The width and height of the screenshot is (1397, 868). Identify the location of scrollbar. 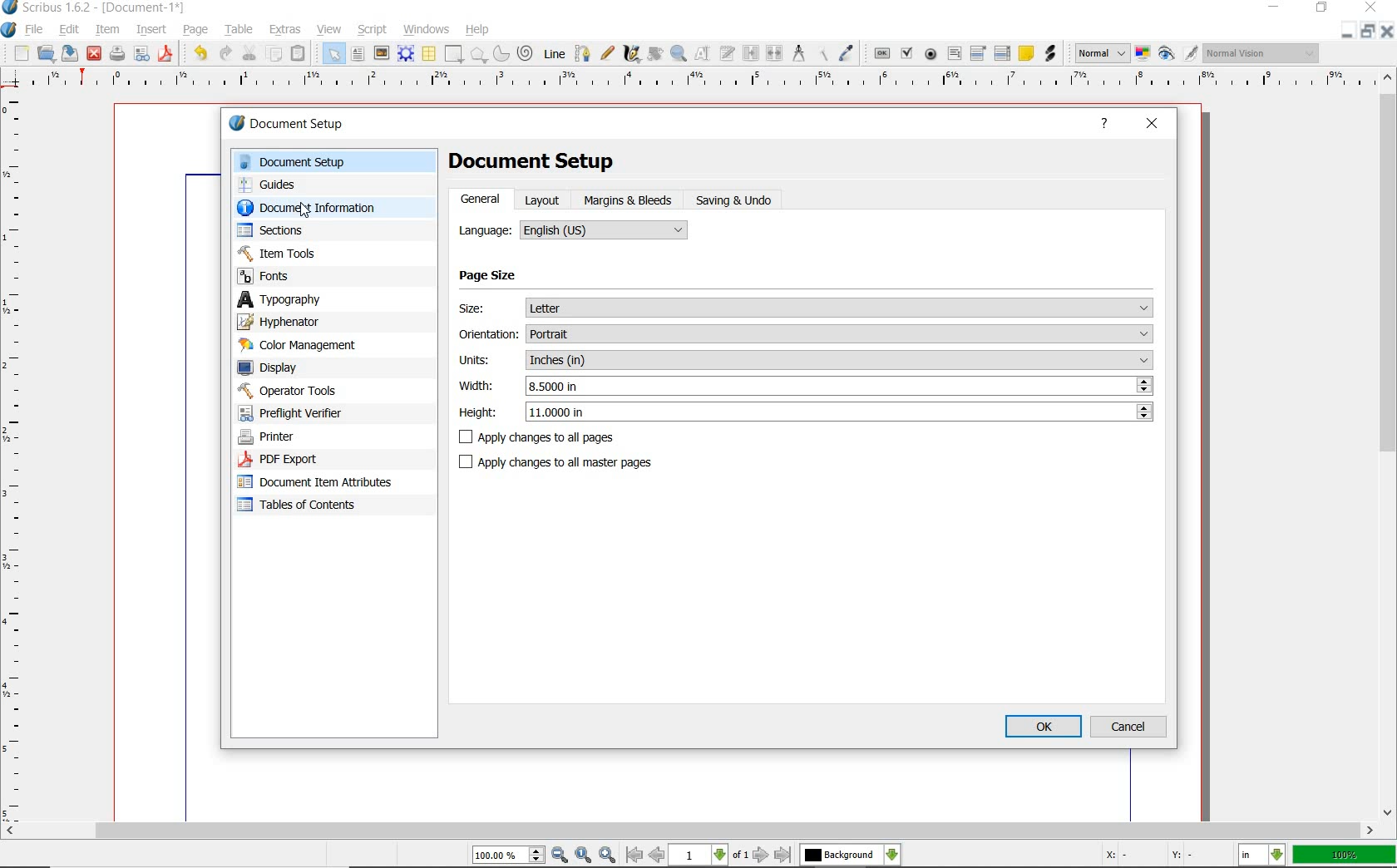
(689, 831).